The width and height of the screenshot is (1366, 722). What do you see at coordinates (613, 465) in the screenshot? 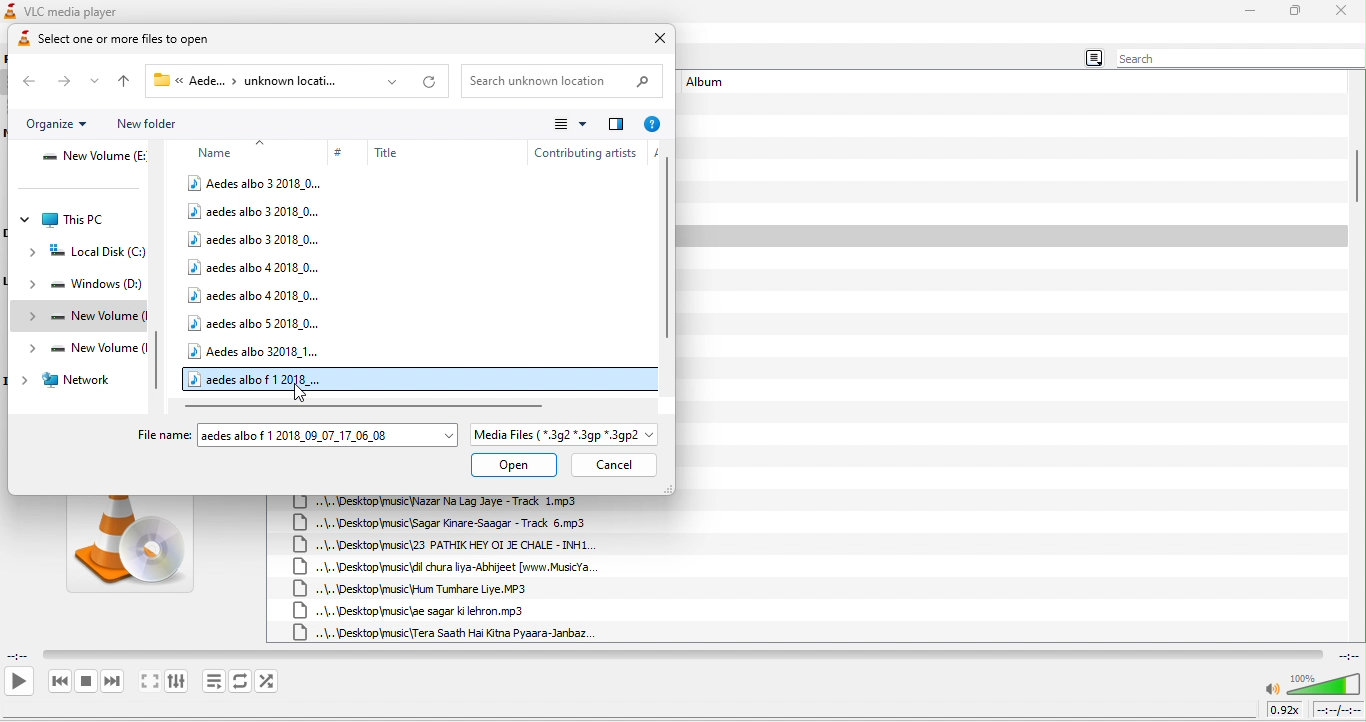
I see `cancel` at bounding box center [613, 465].